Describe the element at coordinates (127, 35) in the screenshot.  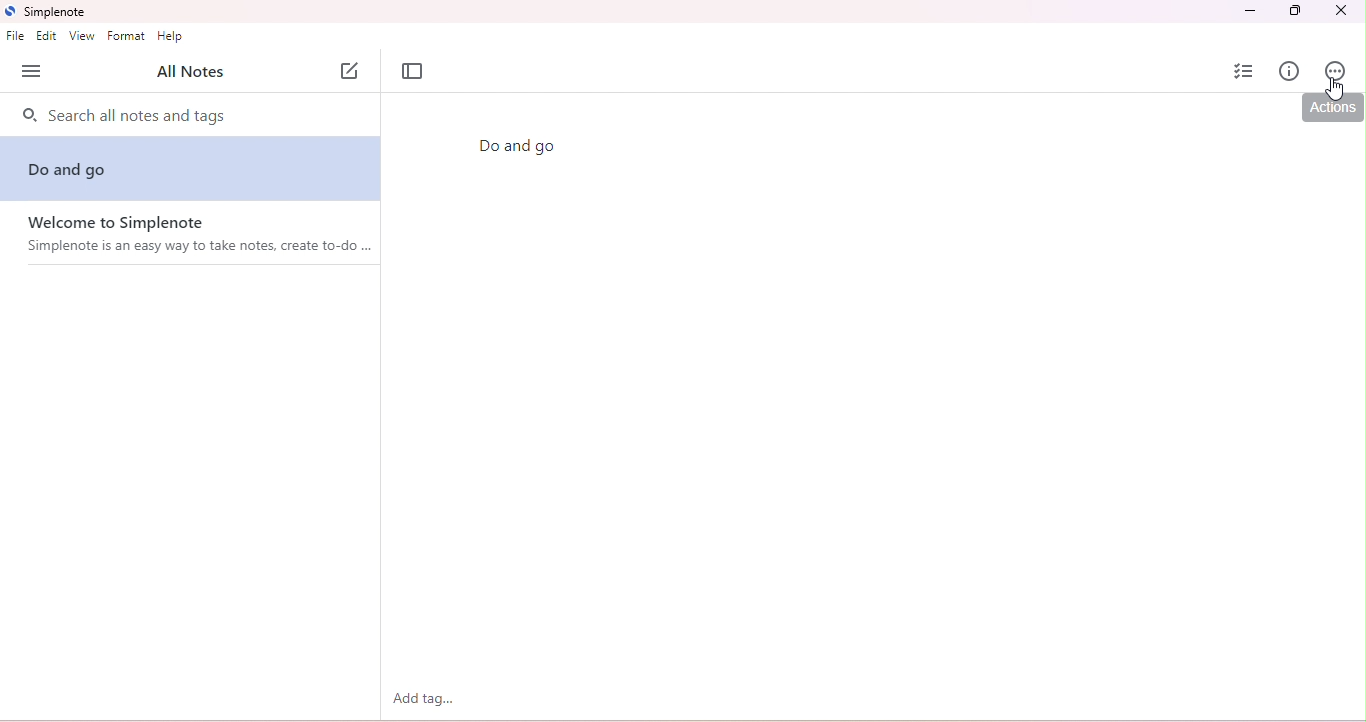
I see `format` at that location.